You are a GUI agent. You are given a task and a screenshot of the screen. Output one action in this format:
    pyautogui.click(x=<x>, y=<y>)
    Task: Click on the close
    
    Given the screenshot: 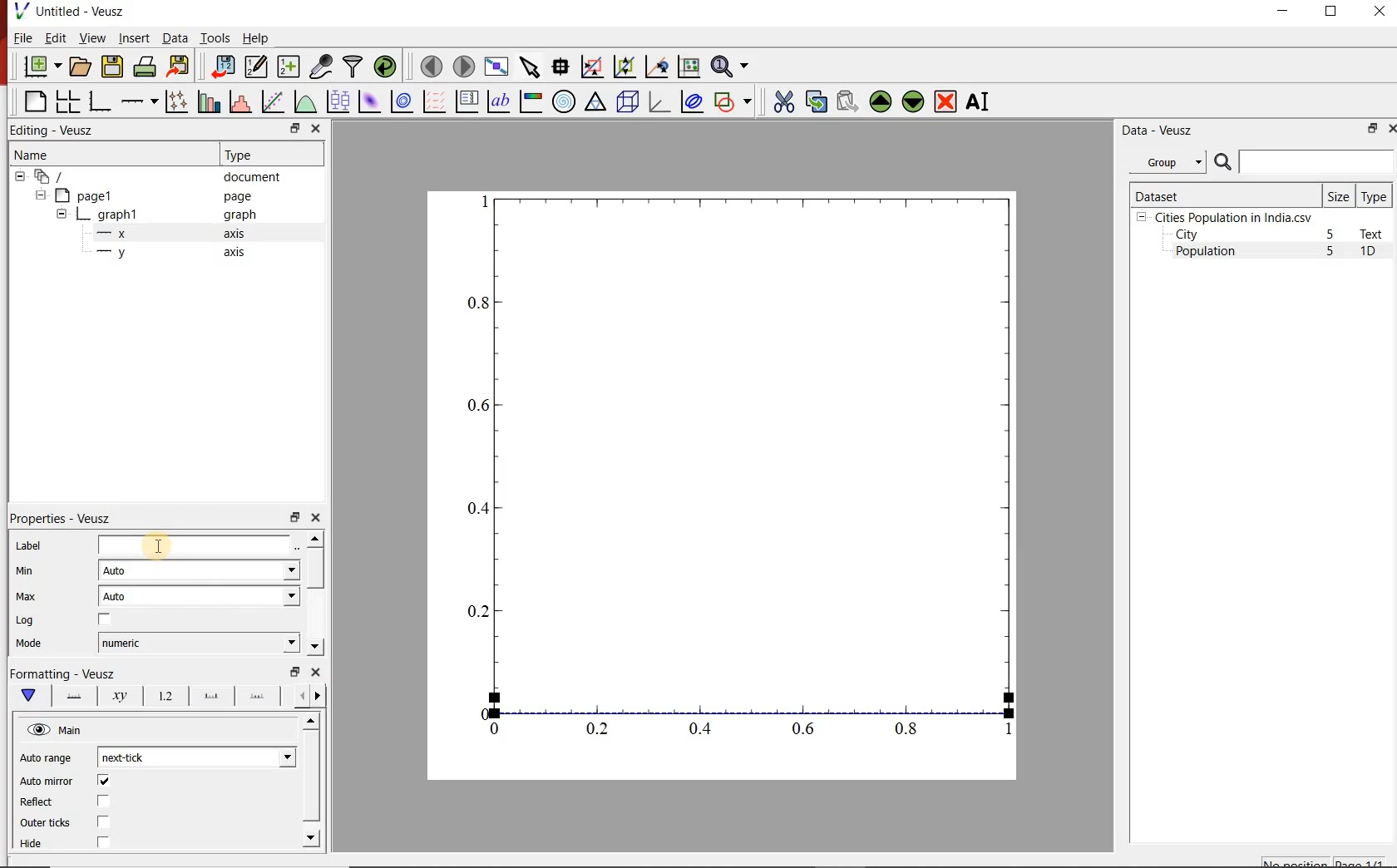 What is the action you would take?
    pyautogui.click(x=1390, y=128)
    